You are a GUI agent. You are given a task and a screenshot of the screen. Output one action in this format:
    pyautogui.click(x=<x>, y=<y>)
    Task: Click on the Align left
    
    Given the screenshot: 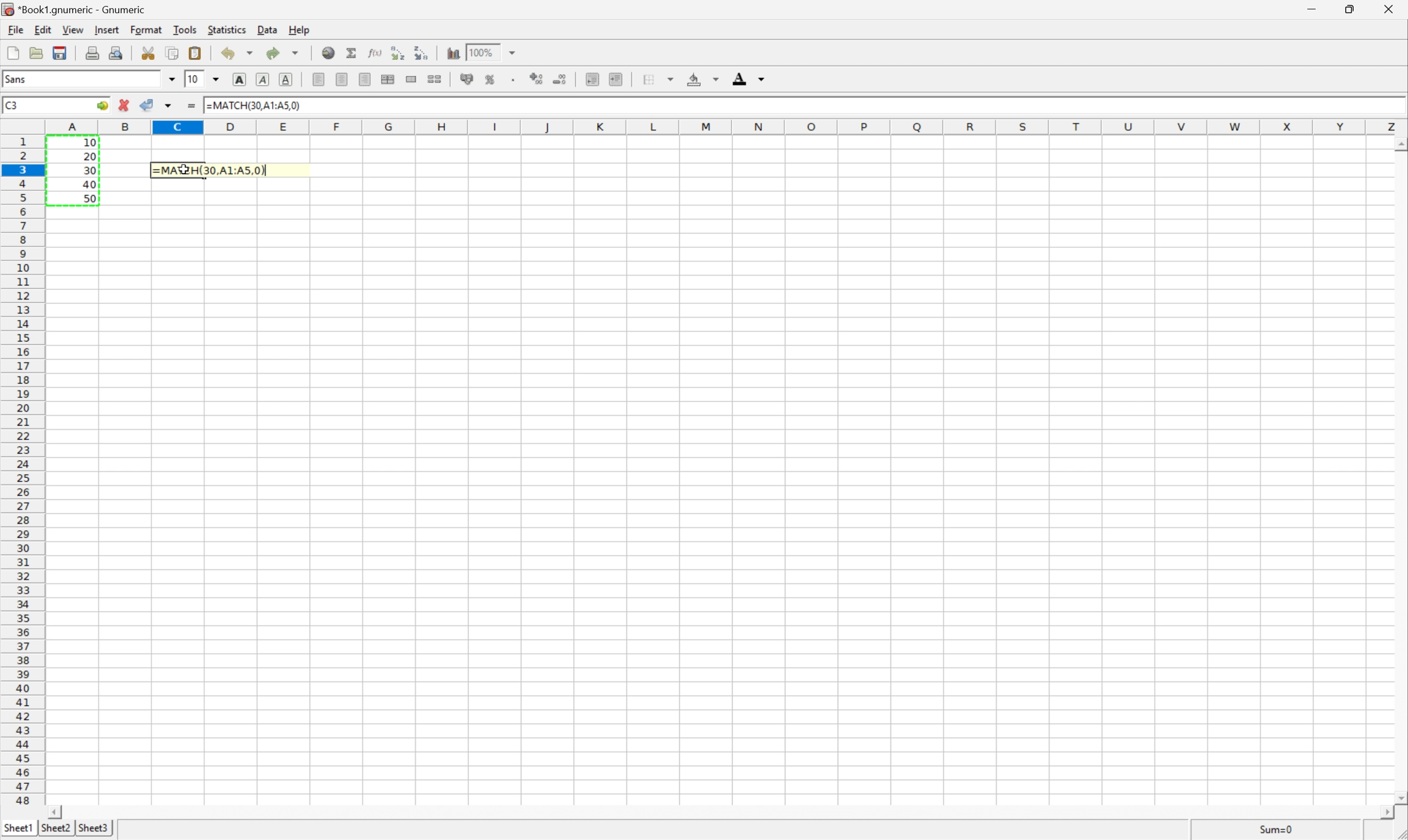 What is the action you would take?
    pyautogui.click(x=318, y=78)
    